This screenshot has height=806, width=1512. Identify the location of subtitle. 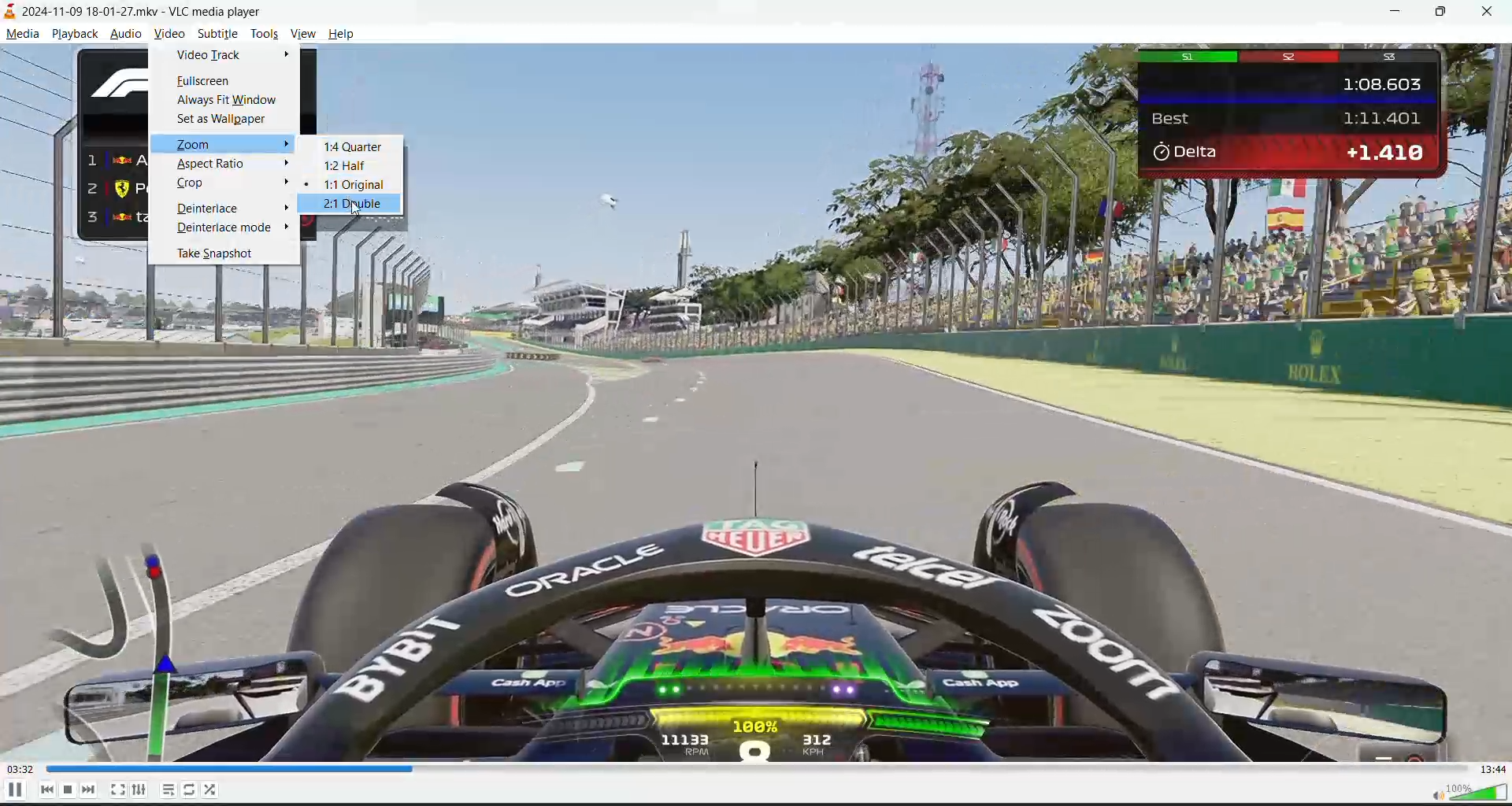
(213, 33).